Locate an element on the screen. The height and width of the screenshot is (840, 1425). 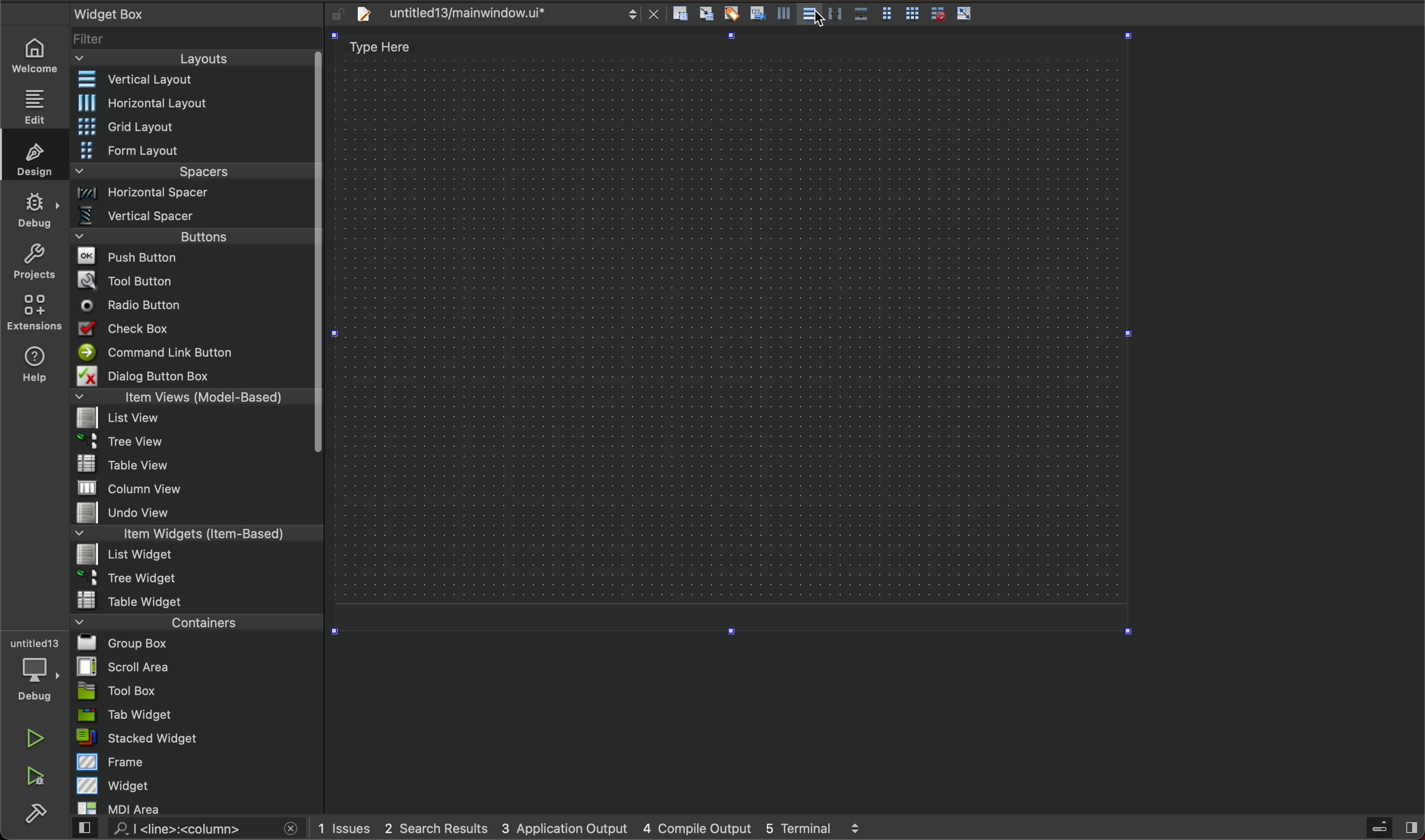
table widget is located at coordinates (195, 599).